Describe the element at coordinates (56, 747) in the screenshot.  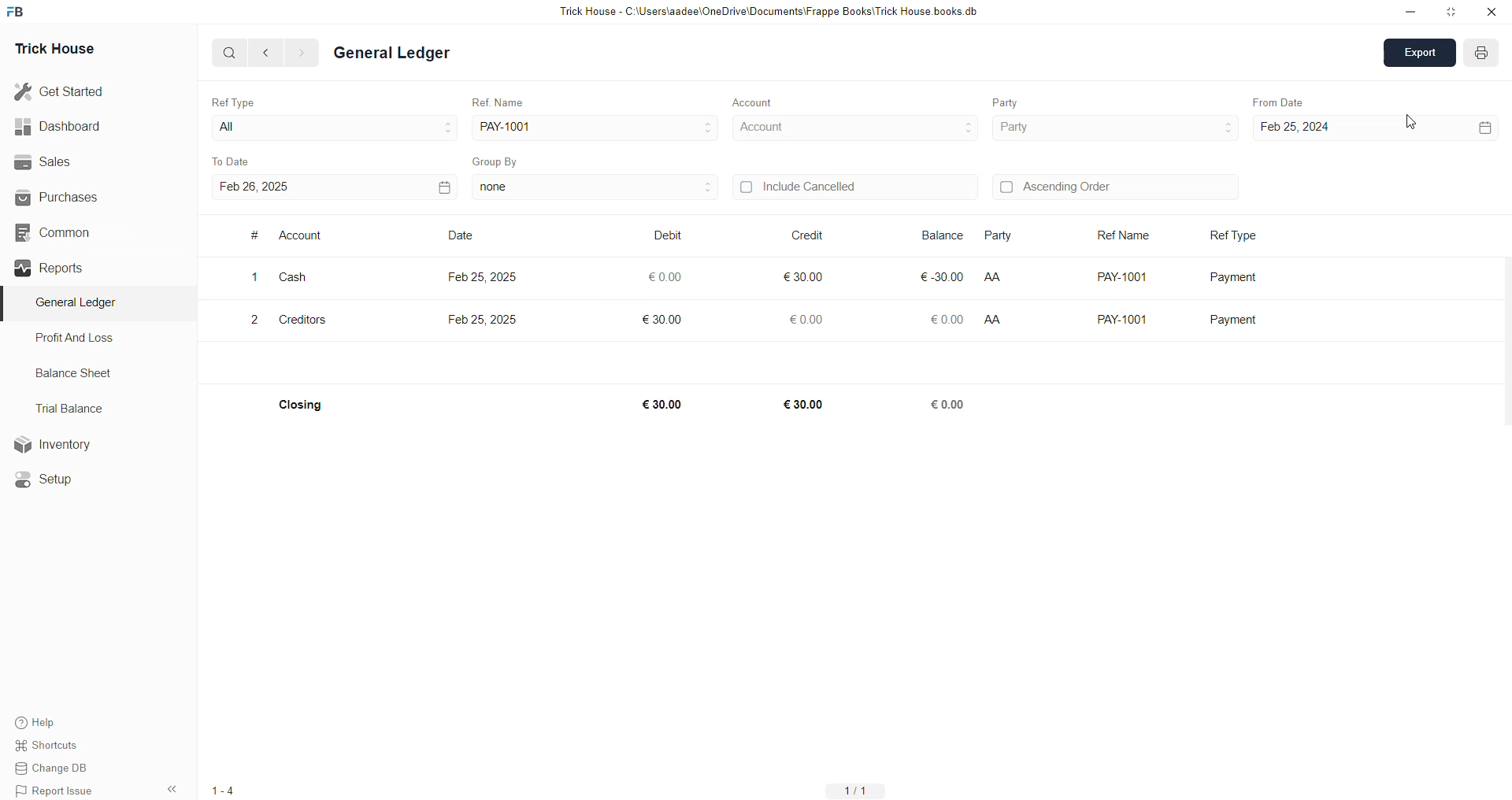
I see `Shortcuts` at that location.